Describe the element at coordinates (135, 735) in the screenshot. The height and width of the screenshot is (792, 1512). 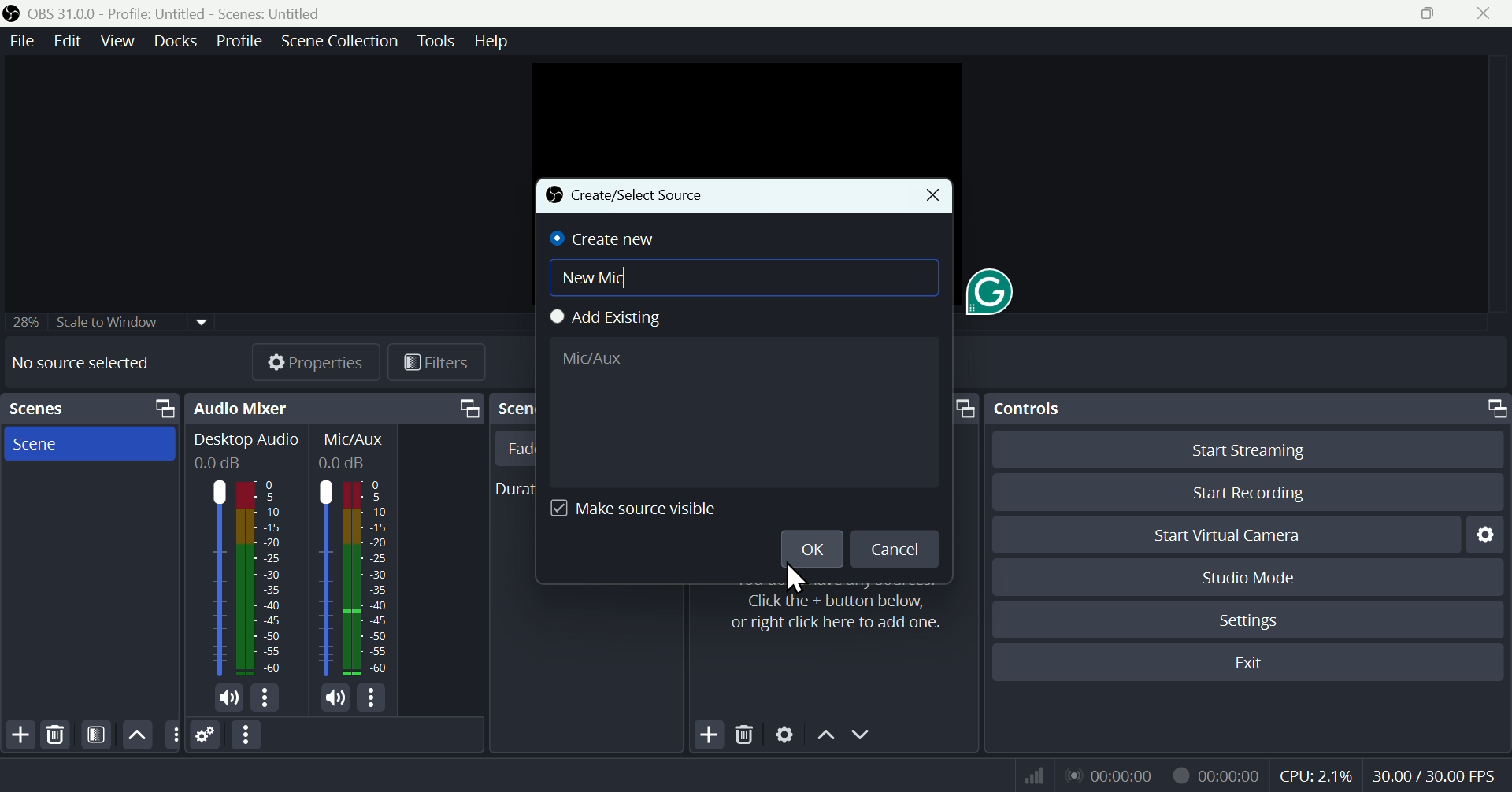
I see `Up` at that location.